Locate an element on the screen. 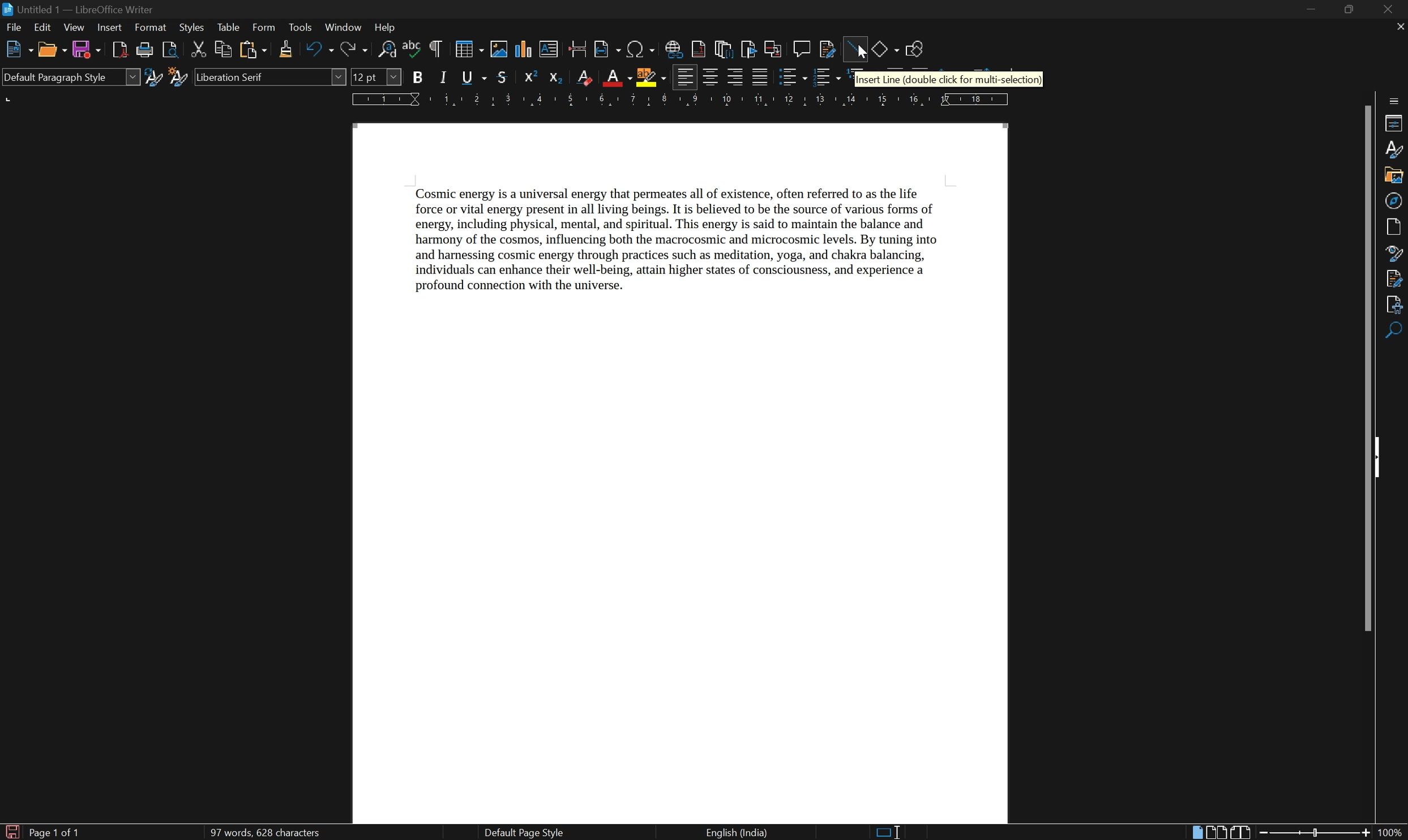  save is located at coordinates (88, 50).